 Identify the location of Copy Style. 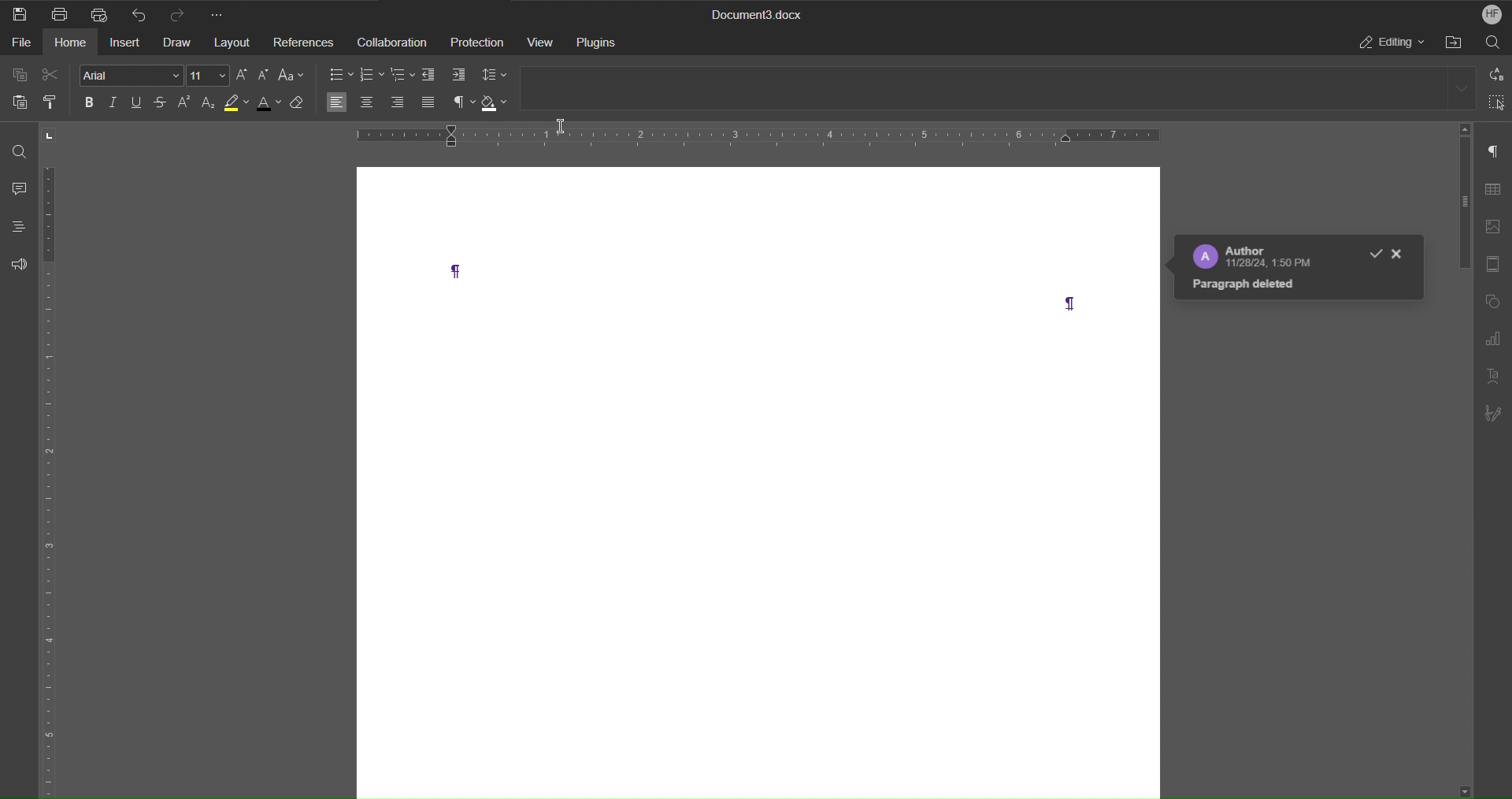
(56, 101).